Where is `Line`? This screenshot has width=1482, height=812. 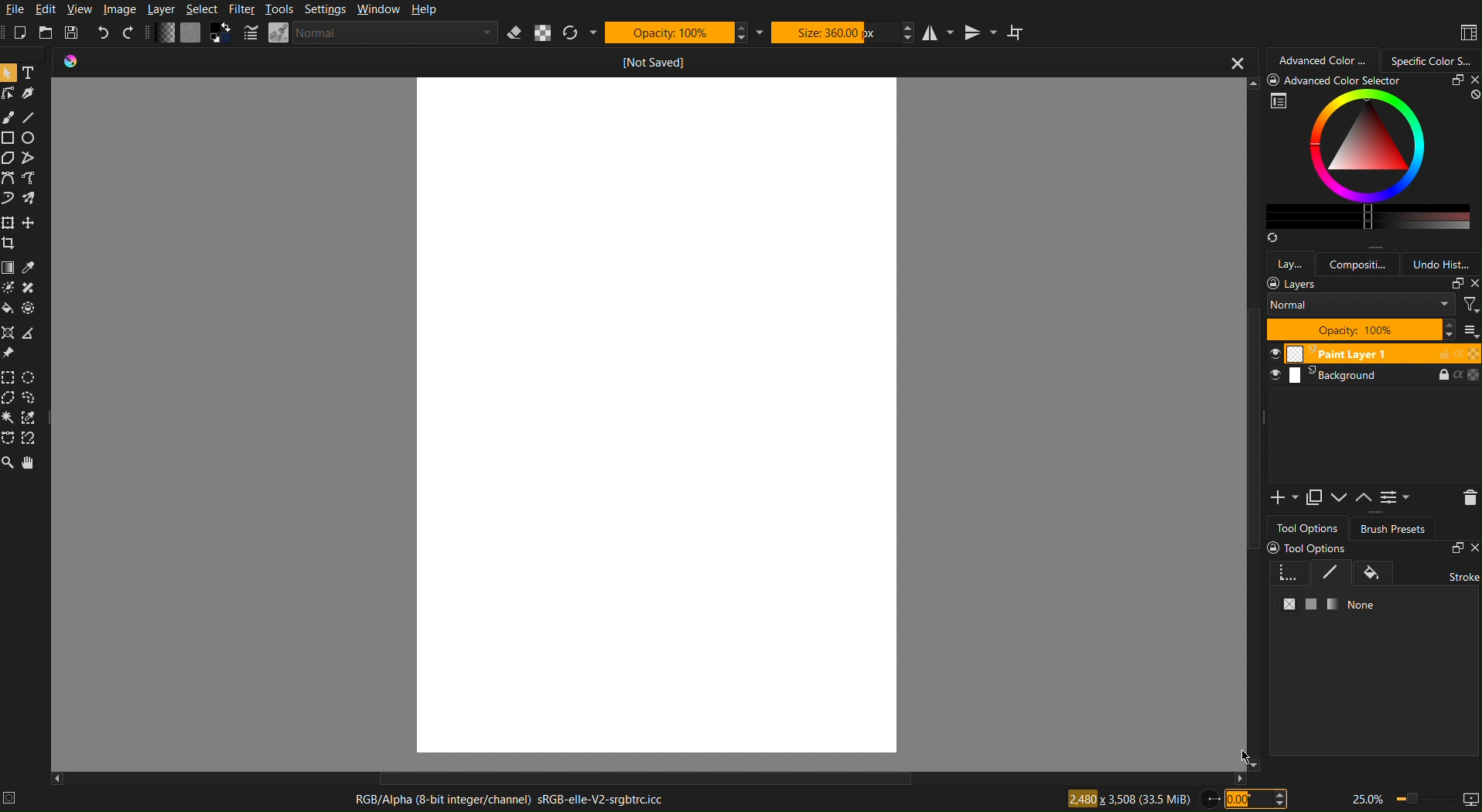
Line is located at coordinates (29, 115).